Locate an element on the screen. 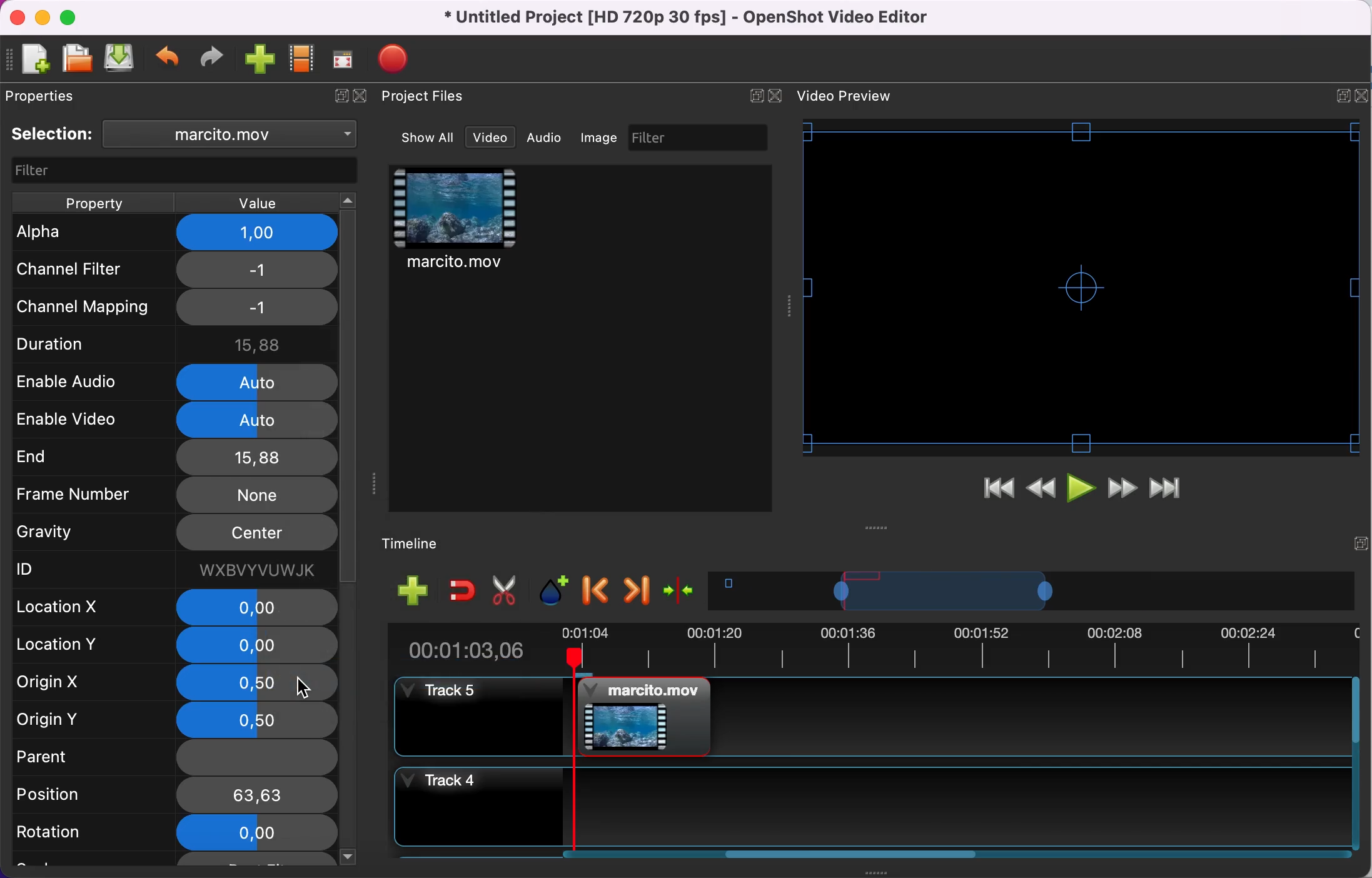 Image resolution: width=1372 pixels, height=878 pixels. timeline is located at coordinates (420, 545).